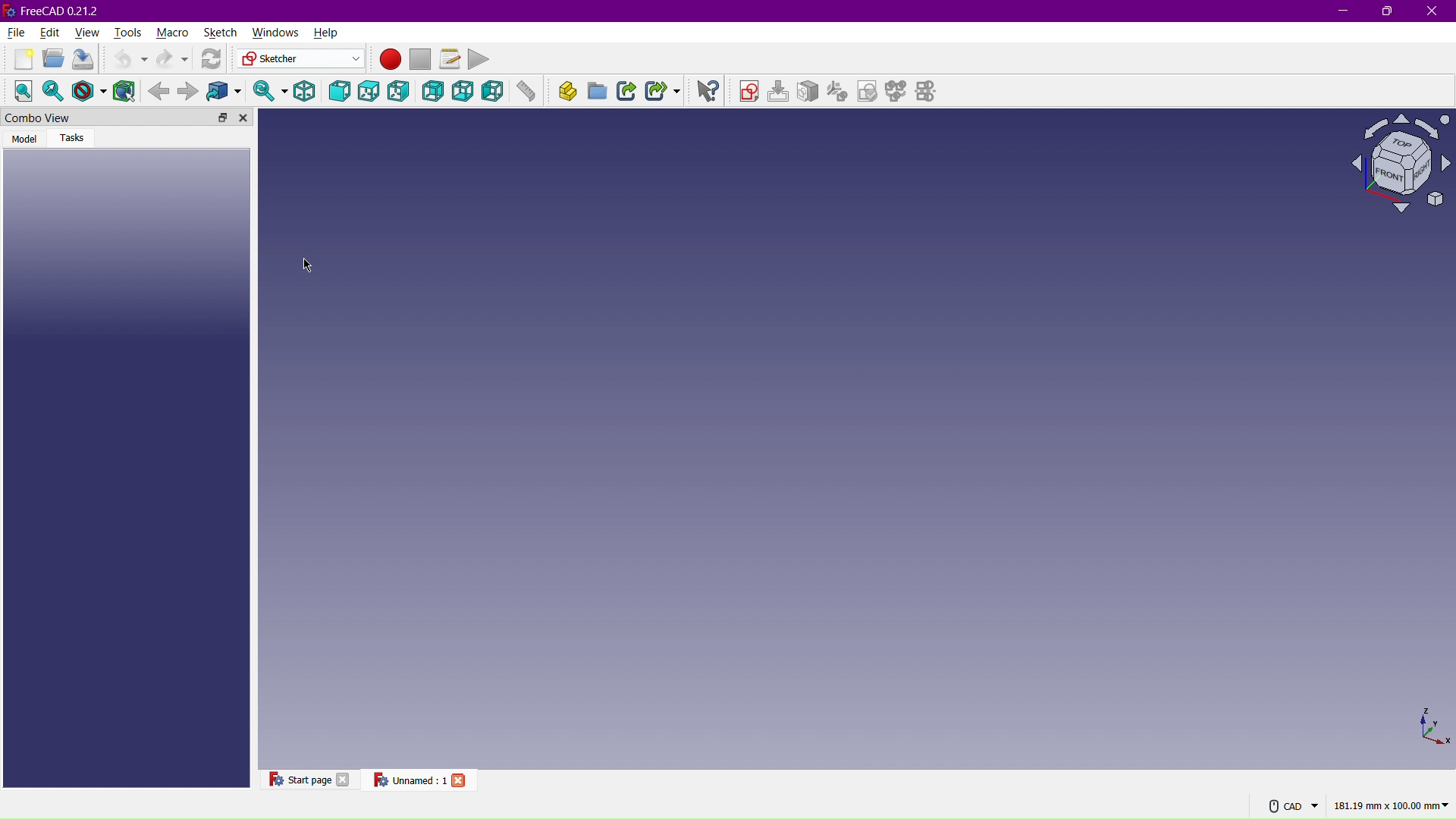  I want to click on Isometric, so click(305, 89).